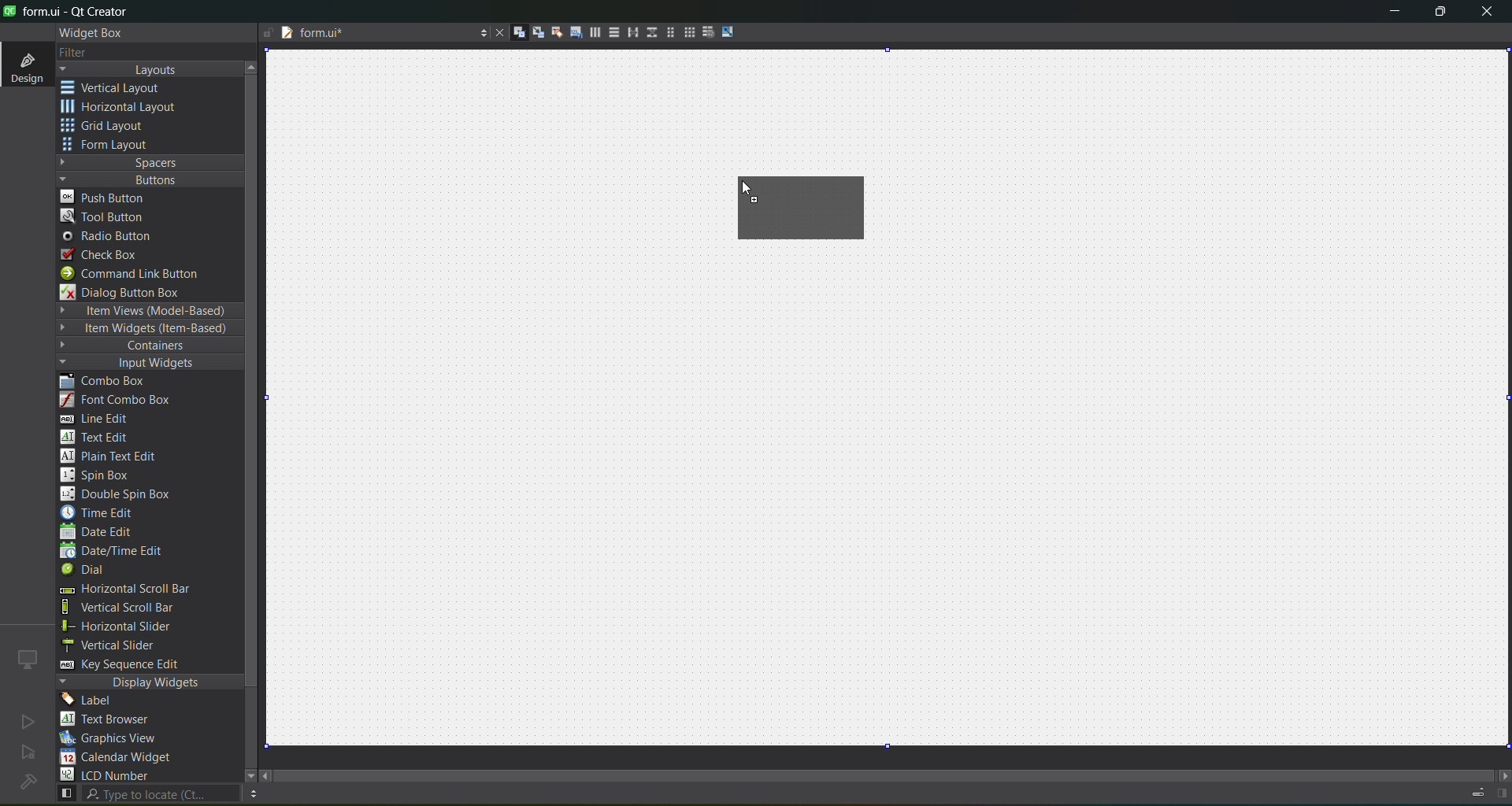 Image resolution: width=1512 pixels, height=806 pixels. I want to click on move up, so click(254, 65).